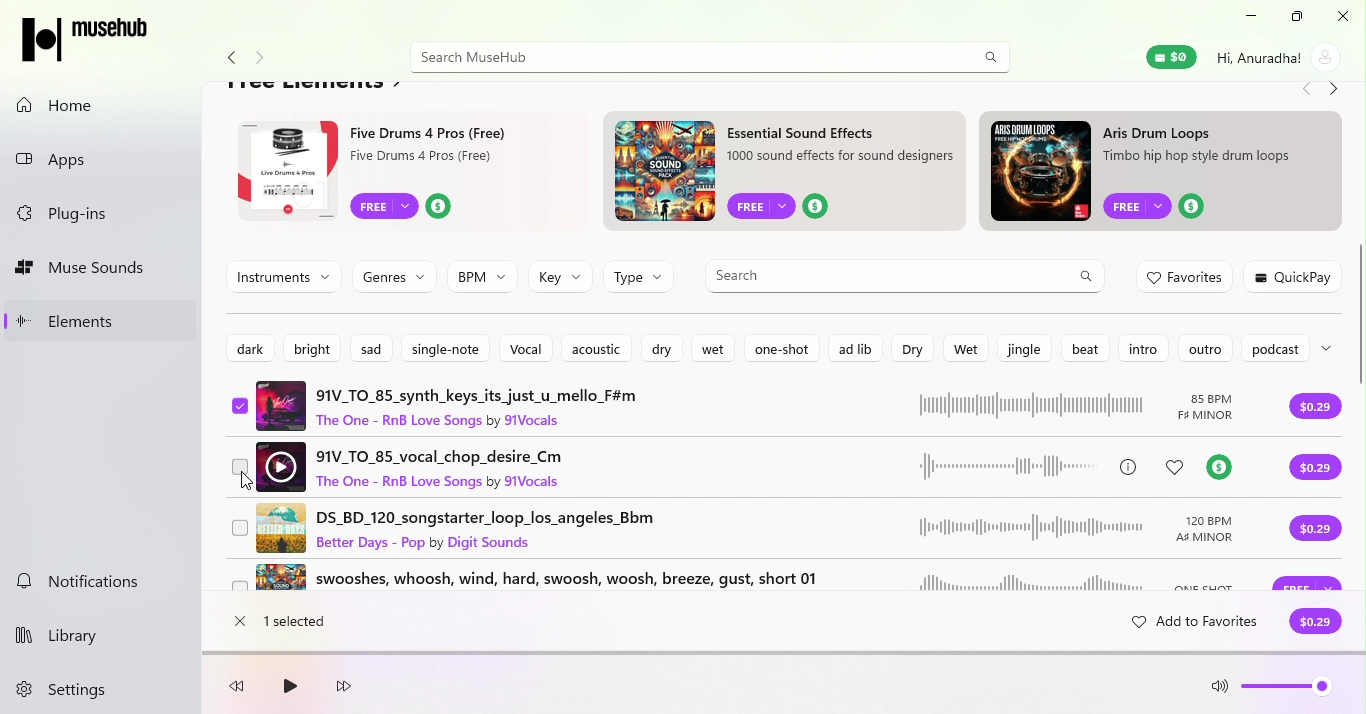 This screenshot has width=1366, height=714. What do you see at coordinates (1361, 361) in the screenshot?
I see `scroll bar` at bounding box center [1361, 361].